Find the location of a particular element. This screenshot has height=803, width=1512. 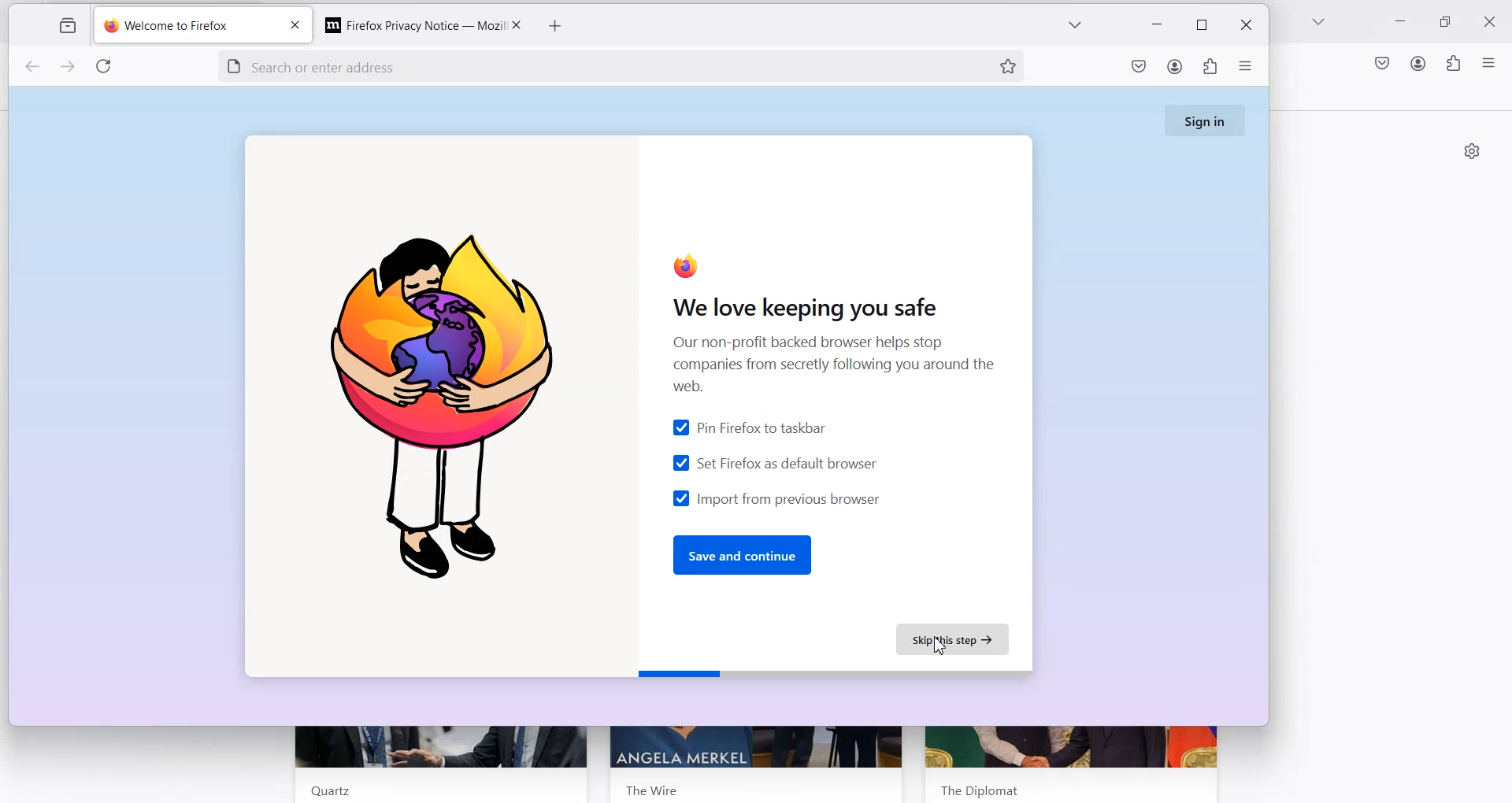

Pin Firefox to taskbar is located at coordinates (750, 428).